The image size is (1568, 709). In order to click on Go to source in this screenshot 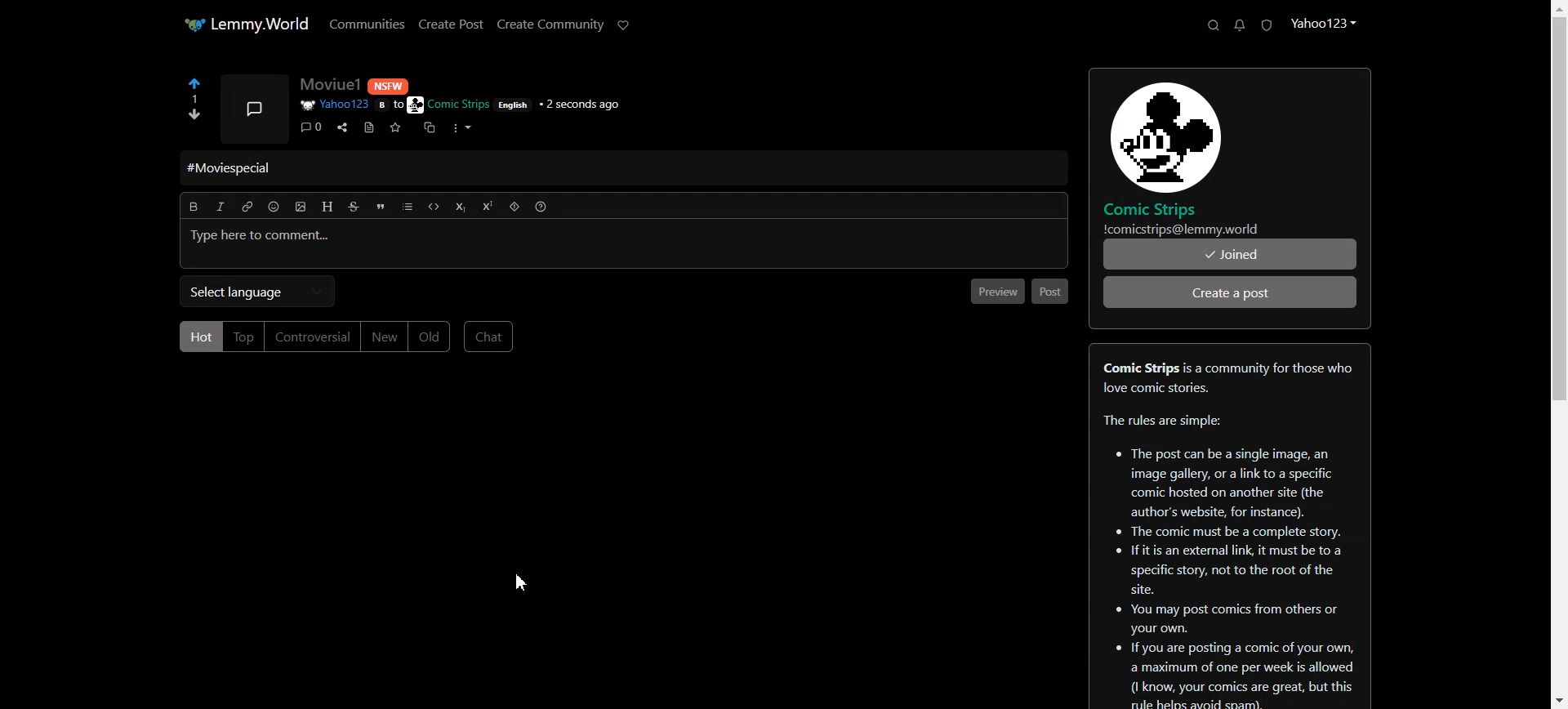, I will do `click(370, 127)`.